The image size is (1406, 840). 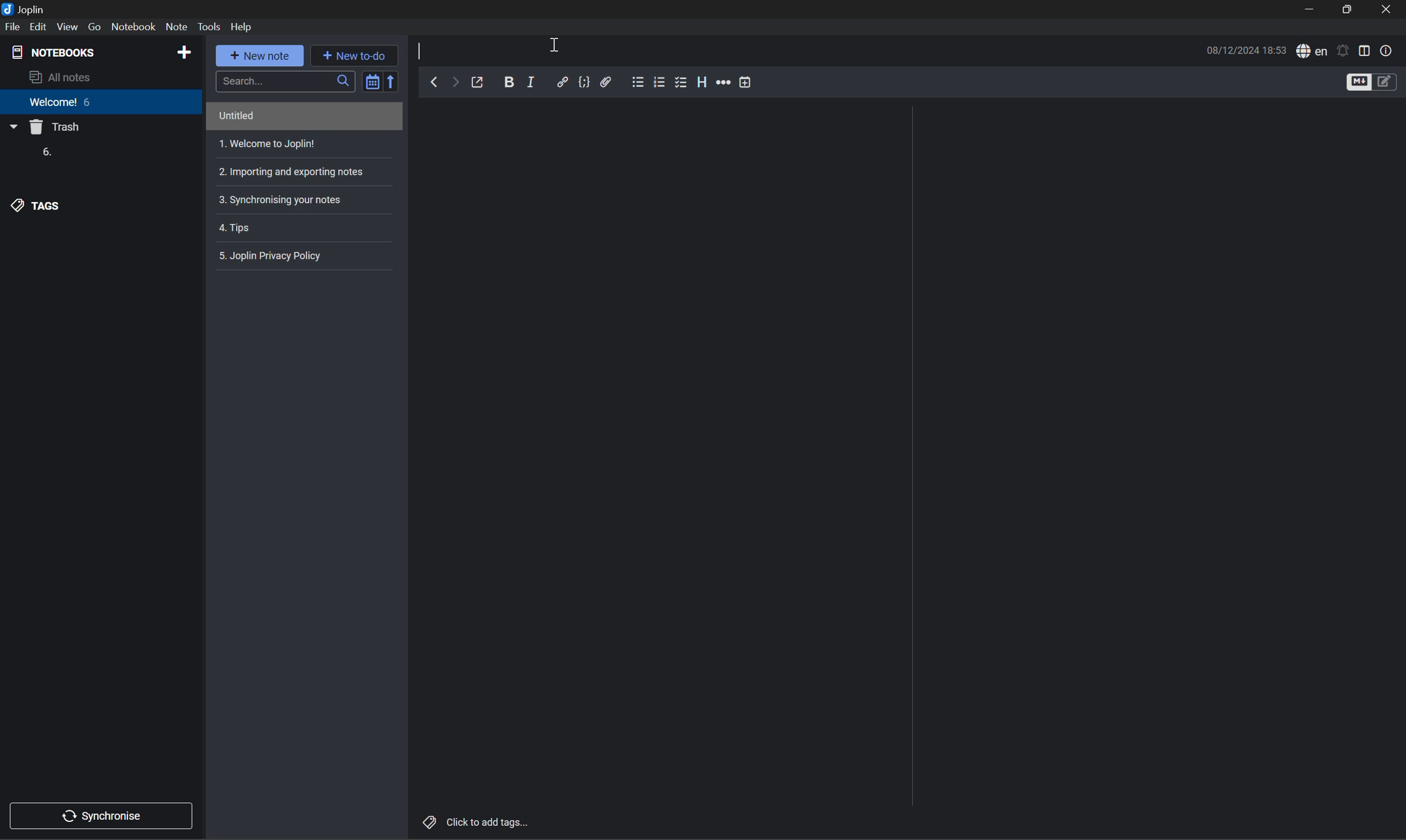 I want to click on Bold, so click(x=509, y=81).